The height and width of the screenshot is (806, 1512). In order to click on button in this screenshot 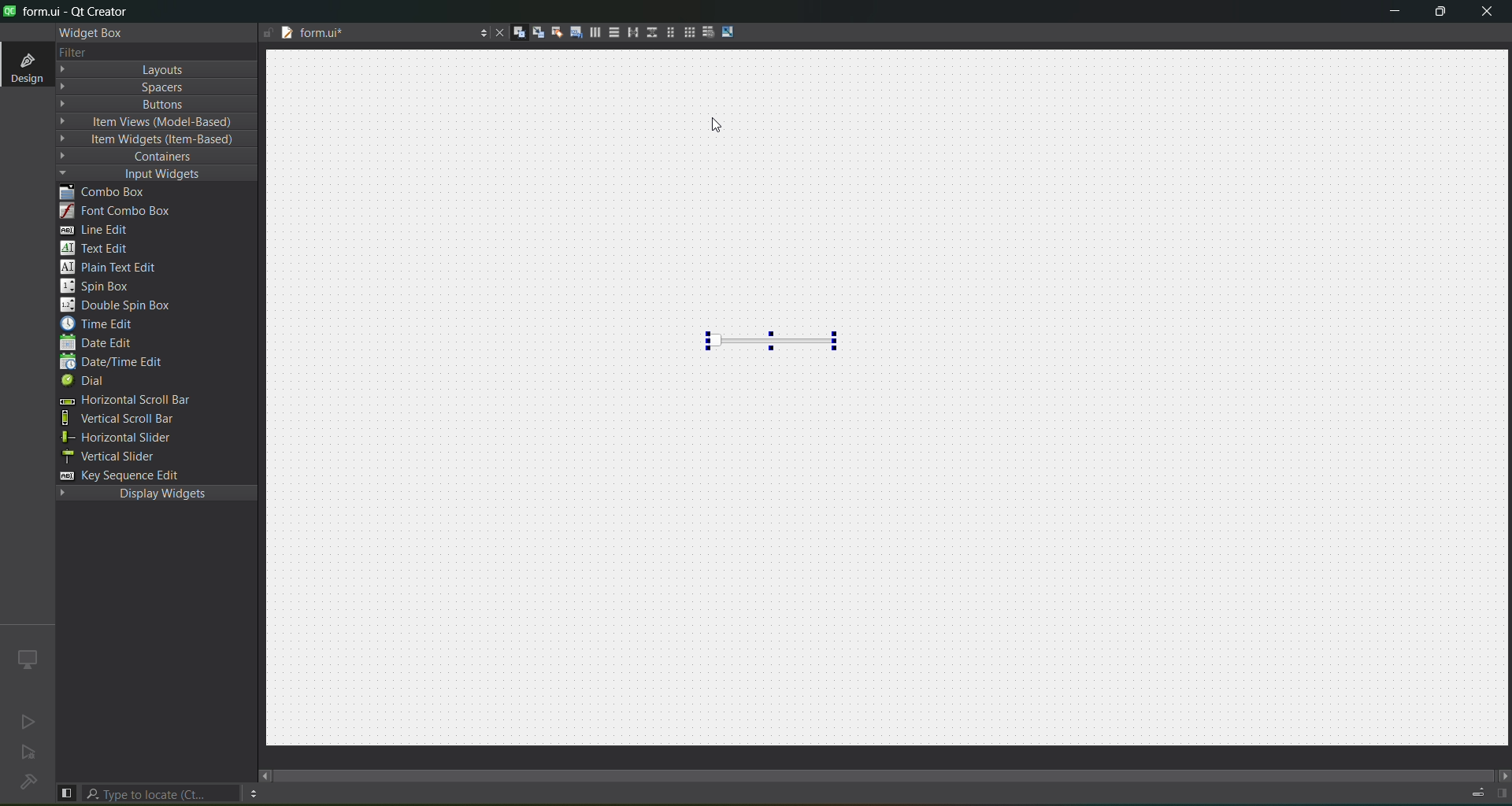, I will do `click(139, 105)`.